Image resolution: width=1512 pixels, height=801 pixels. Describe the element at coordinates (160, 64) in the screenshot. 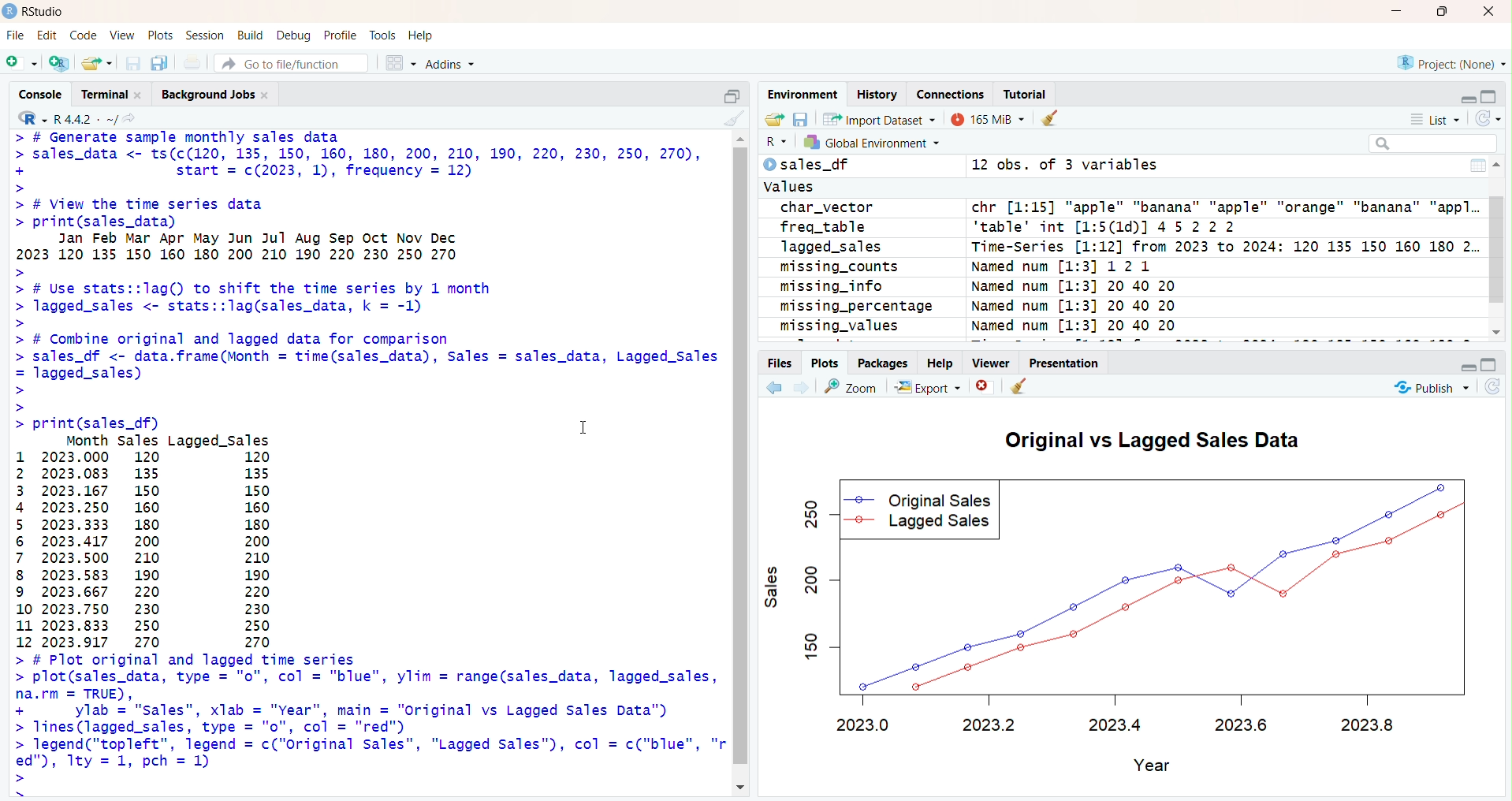

I see `save all open document` at that location.